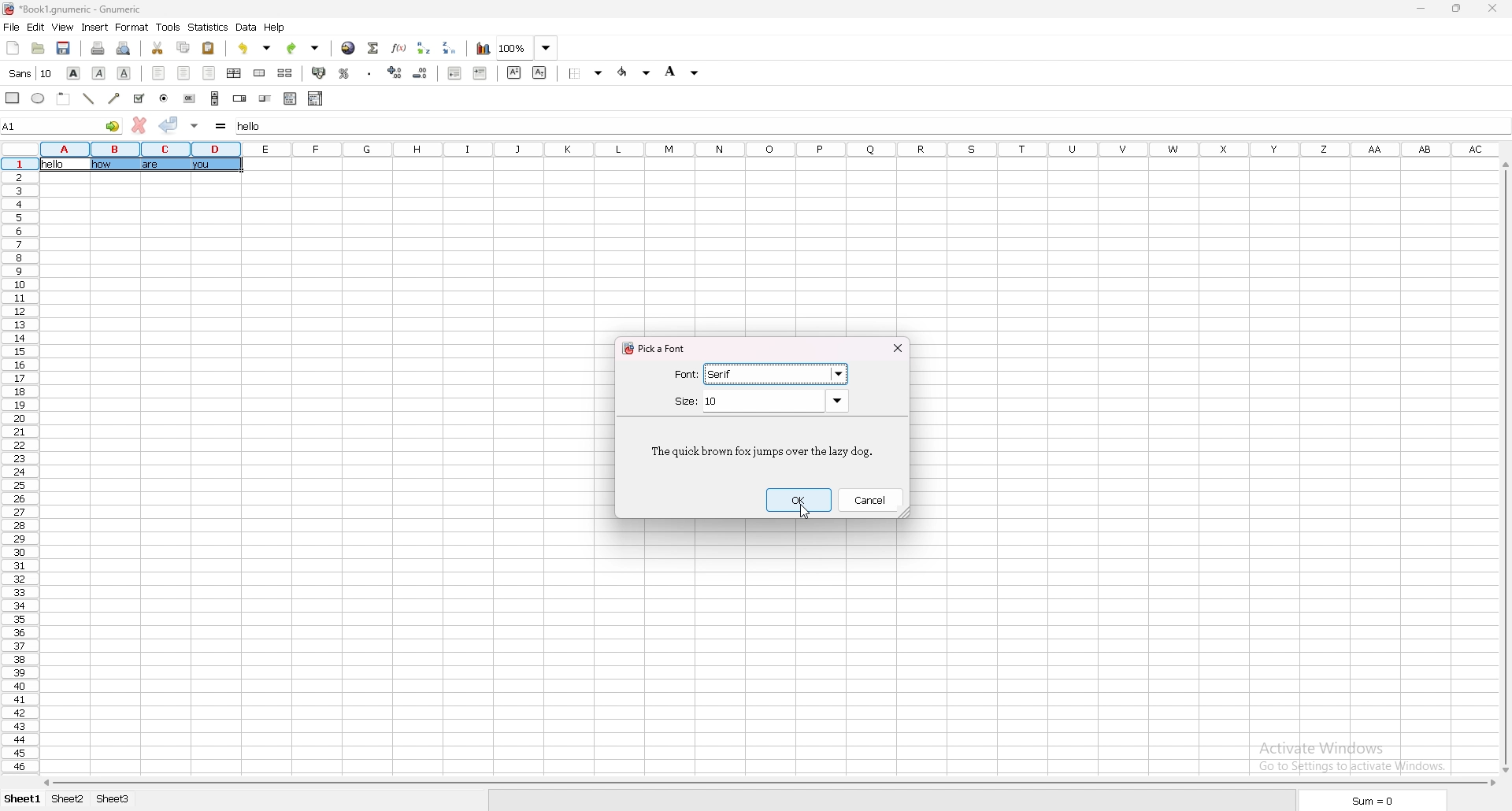 This screenshot has width=1512, height=811. Describe the element at coordinates (1369, 799) in the screenshot. I see `sum` at that location.